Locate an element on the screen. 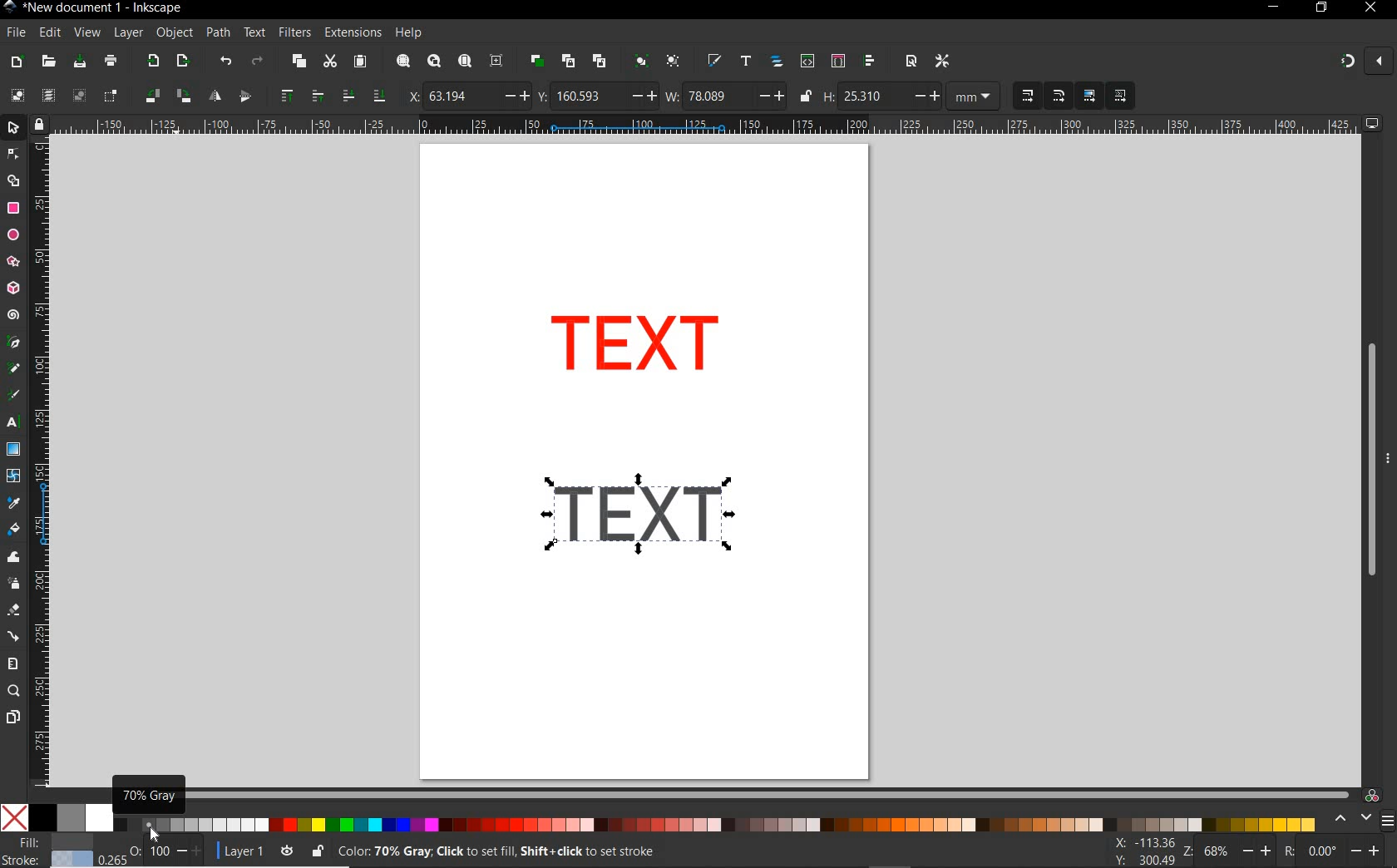 The image size is (1397, 868). text is located at coordinates (255, 33).